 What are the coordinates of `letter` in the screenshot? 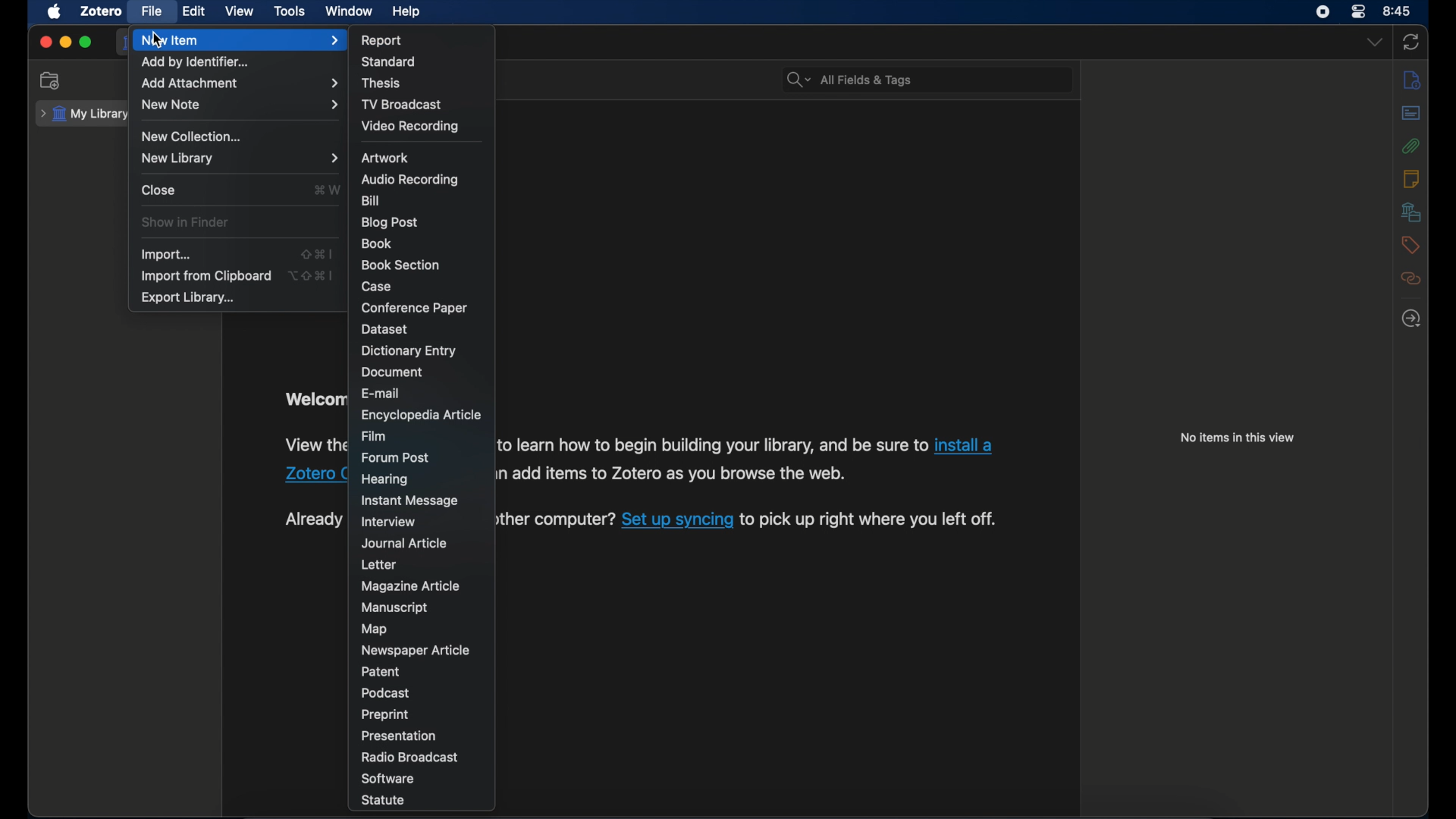 It's located at (381, 564).